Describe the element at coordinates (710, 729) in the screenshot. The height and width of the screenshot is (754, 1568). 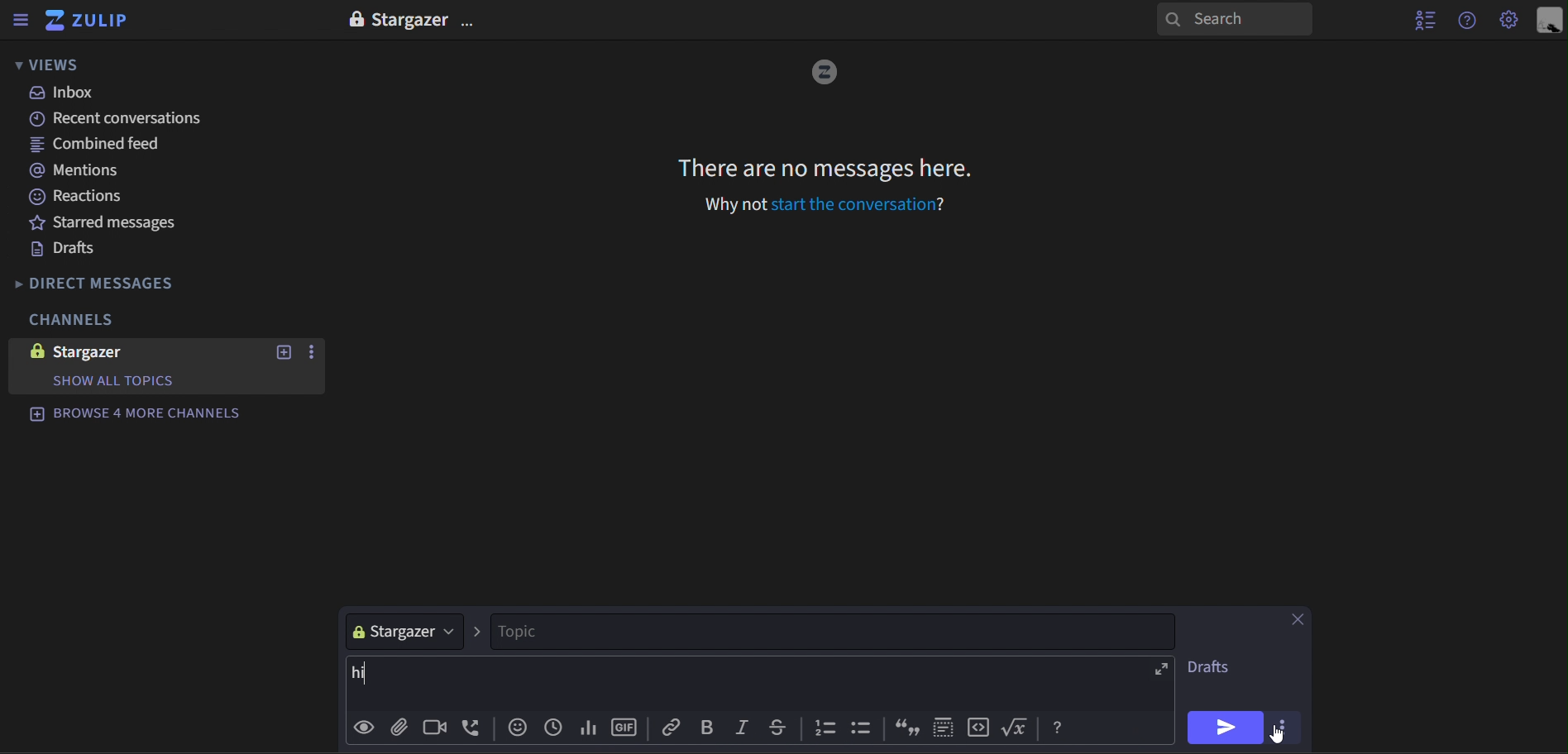
I see `bold` at that location.